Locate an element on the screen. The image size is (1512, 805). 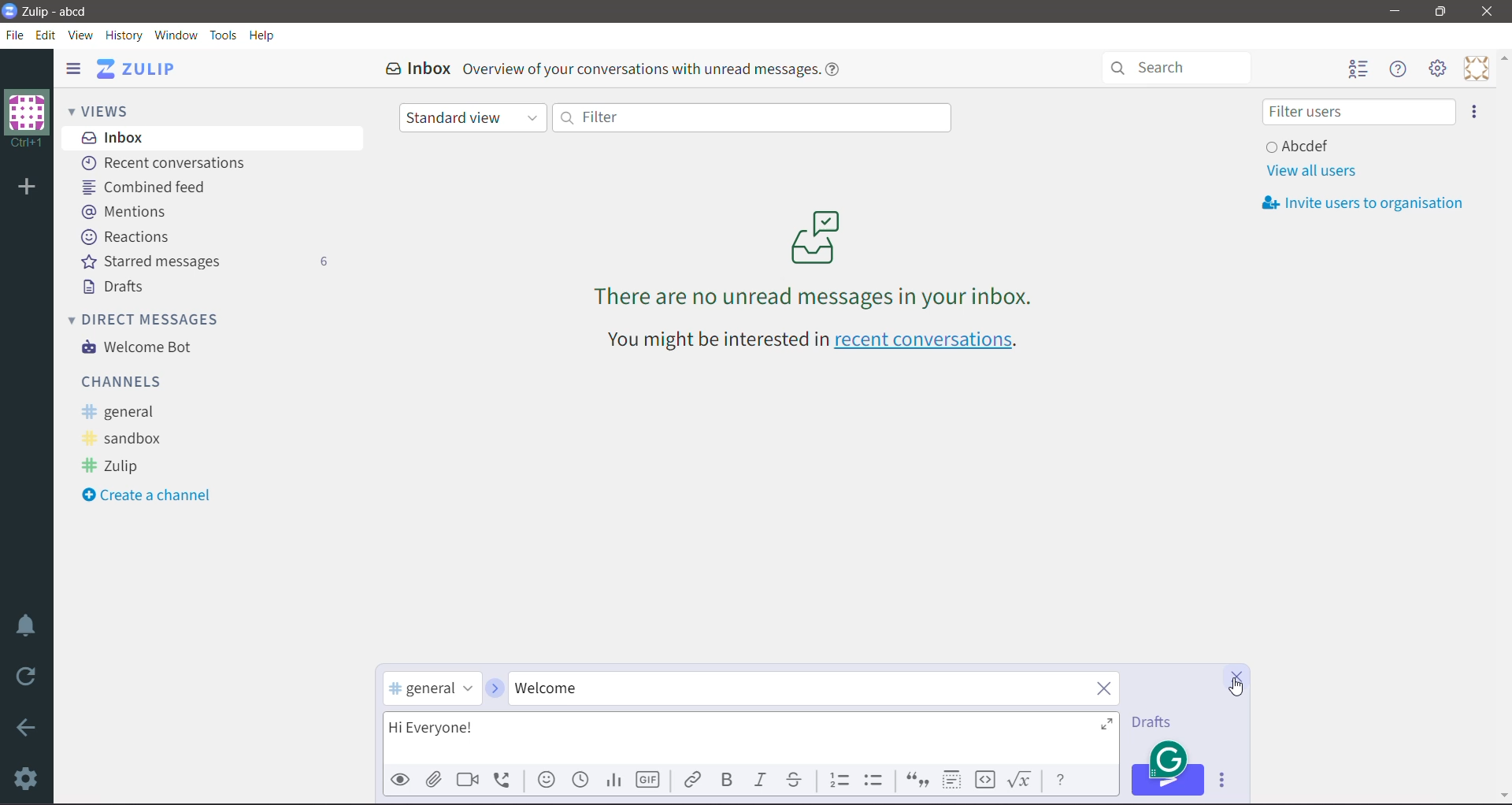
Enable Do Not Disturb is located at coordinates (27, 625).